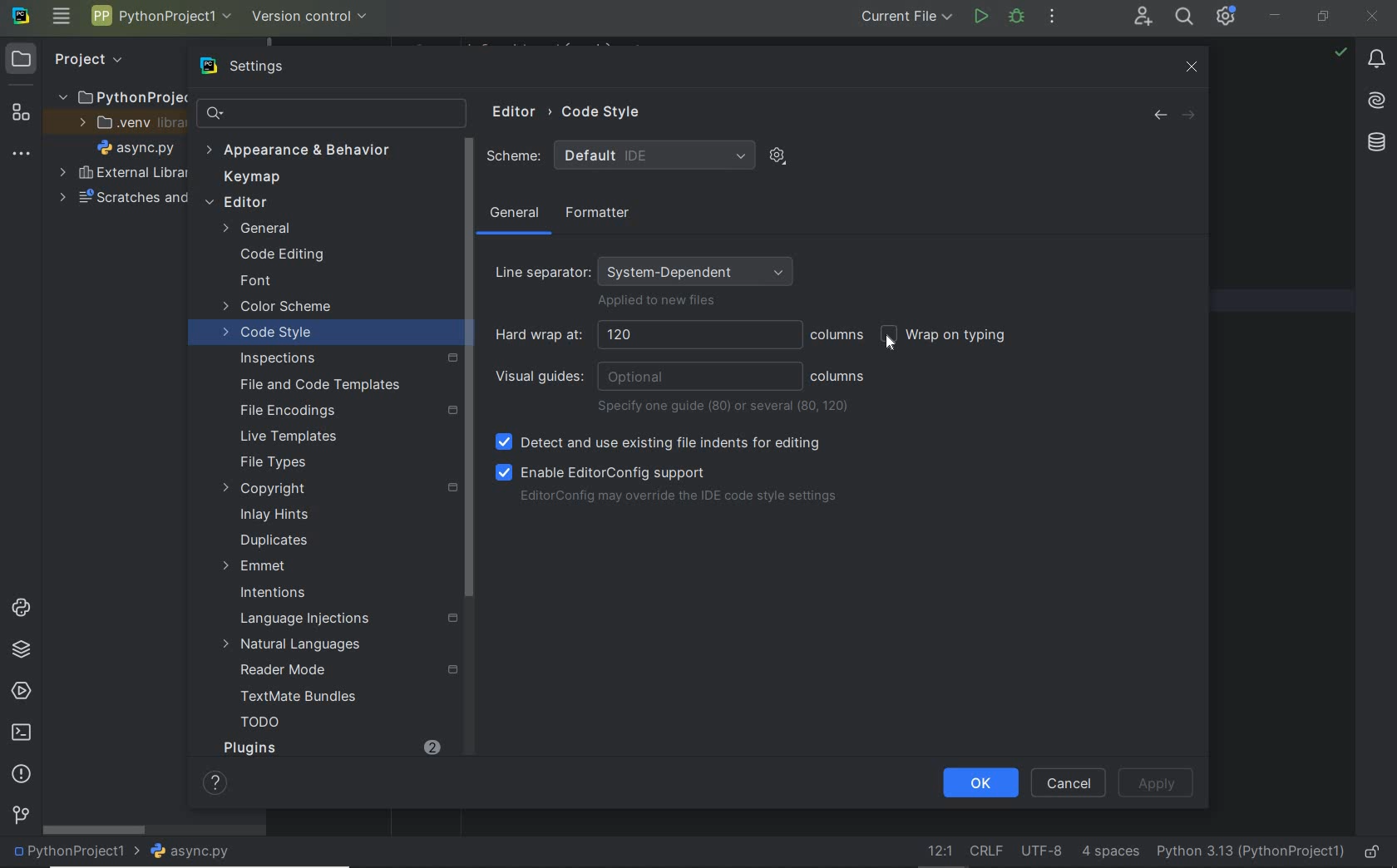 The height and width of the screenshot is (868, 1397). What do you see at coordinates (838, 377) in the screenshot?
I see `columns` at bounding box center [838, 377].